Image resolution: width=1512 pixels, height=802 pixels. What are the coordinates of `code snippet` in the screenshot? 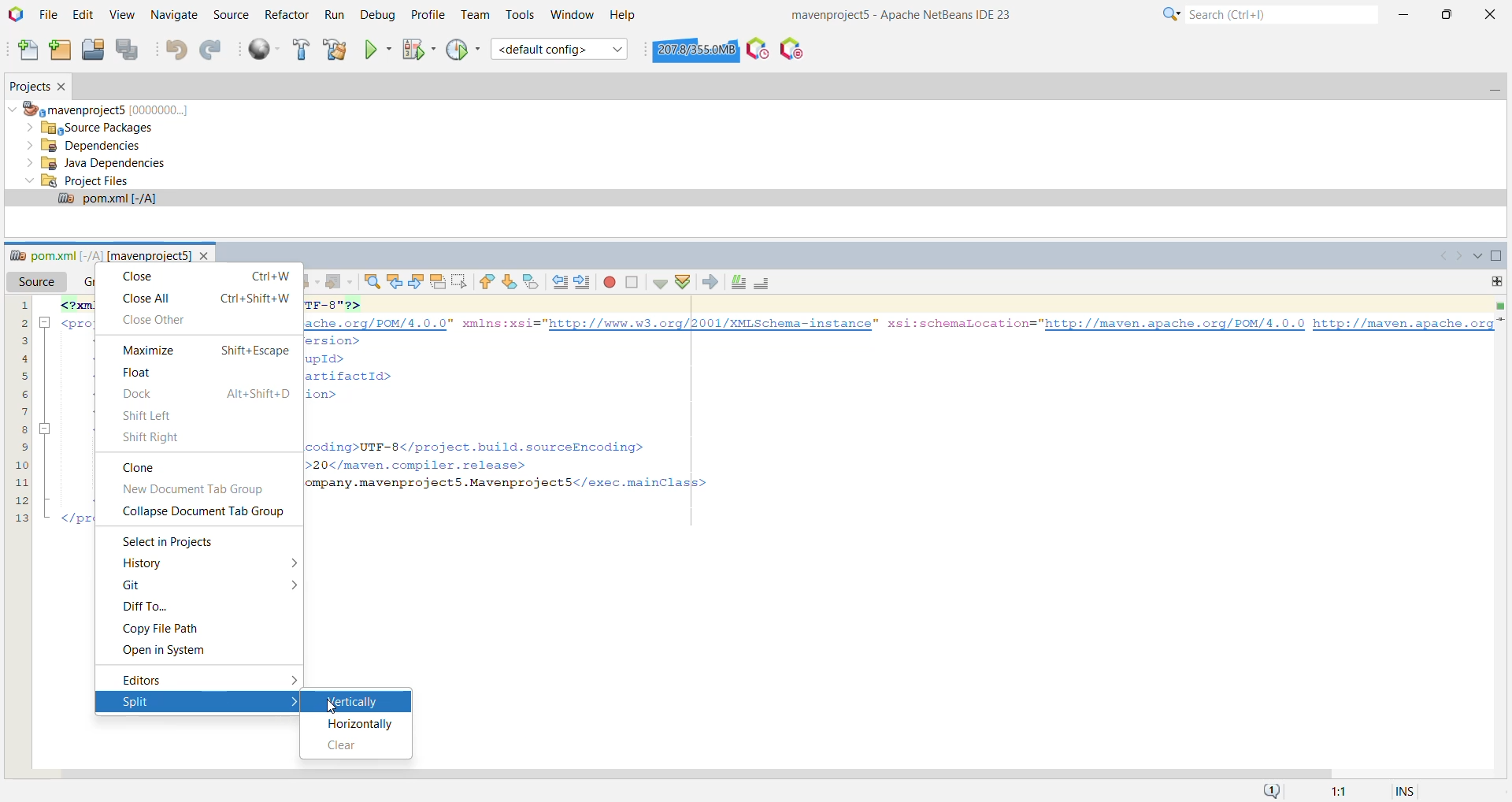 It's located at (886, 404).